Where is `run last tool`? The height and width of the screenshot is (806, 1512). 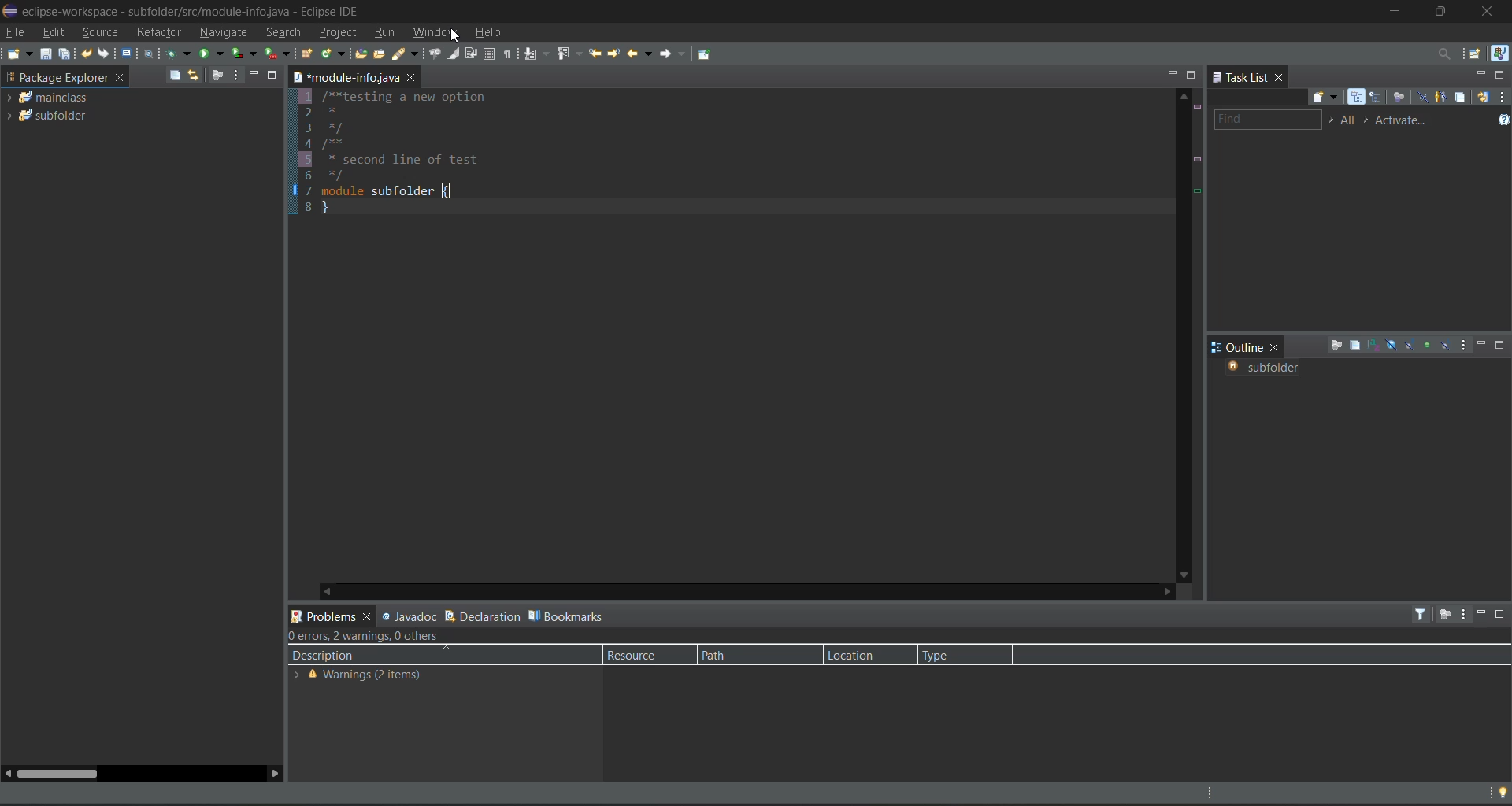
run last tool is located at coordinates (277, 54).